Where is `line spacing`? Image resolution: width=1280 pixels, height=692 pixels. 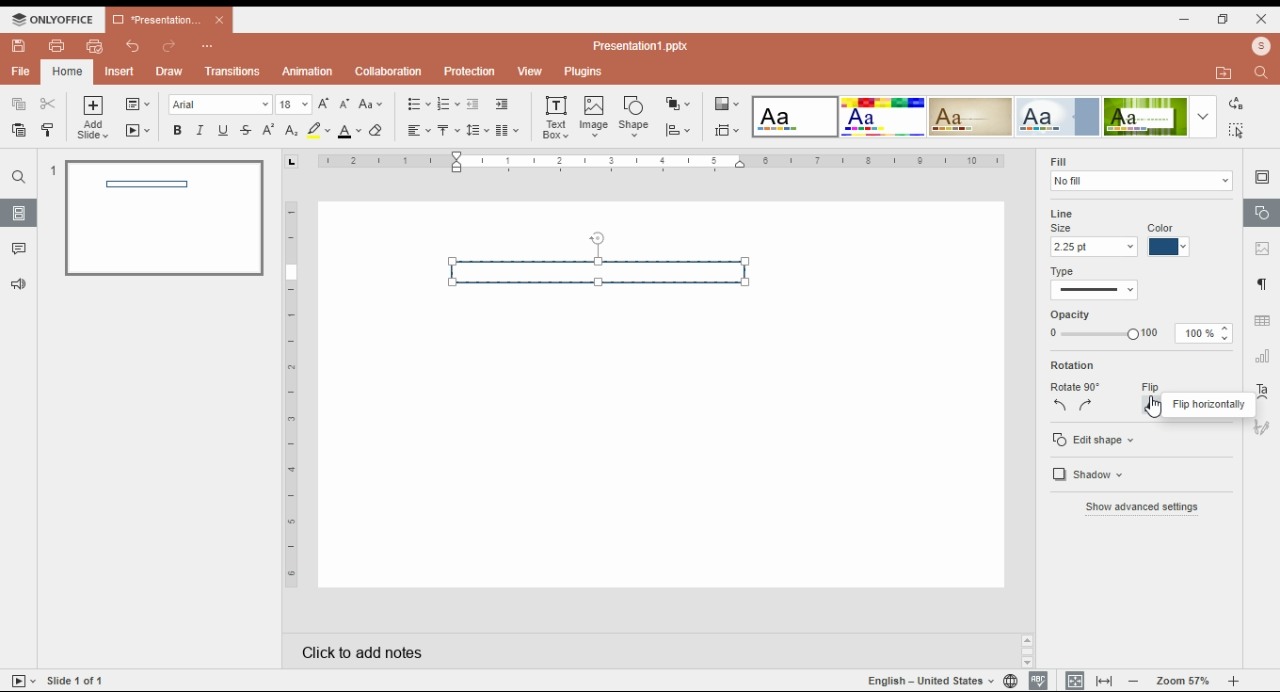 line spacing is located at coordinates (479, 130).